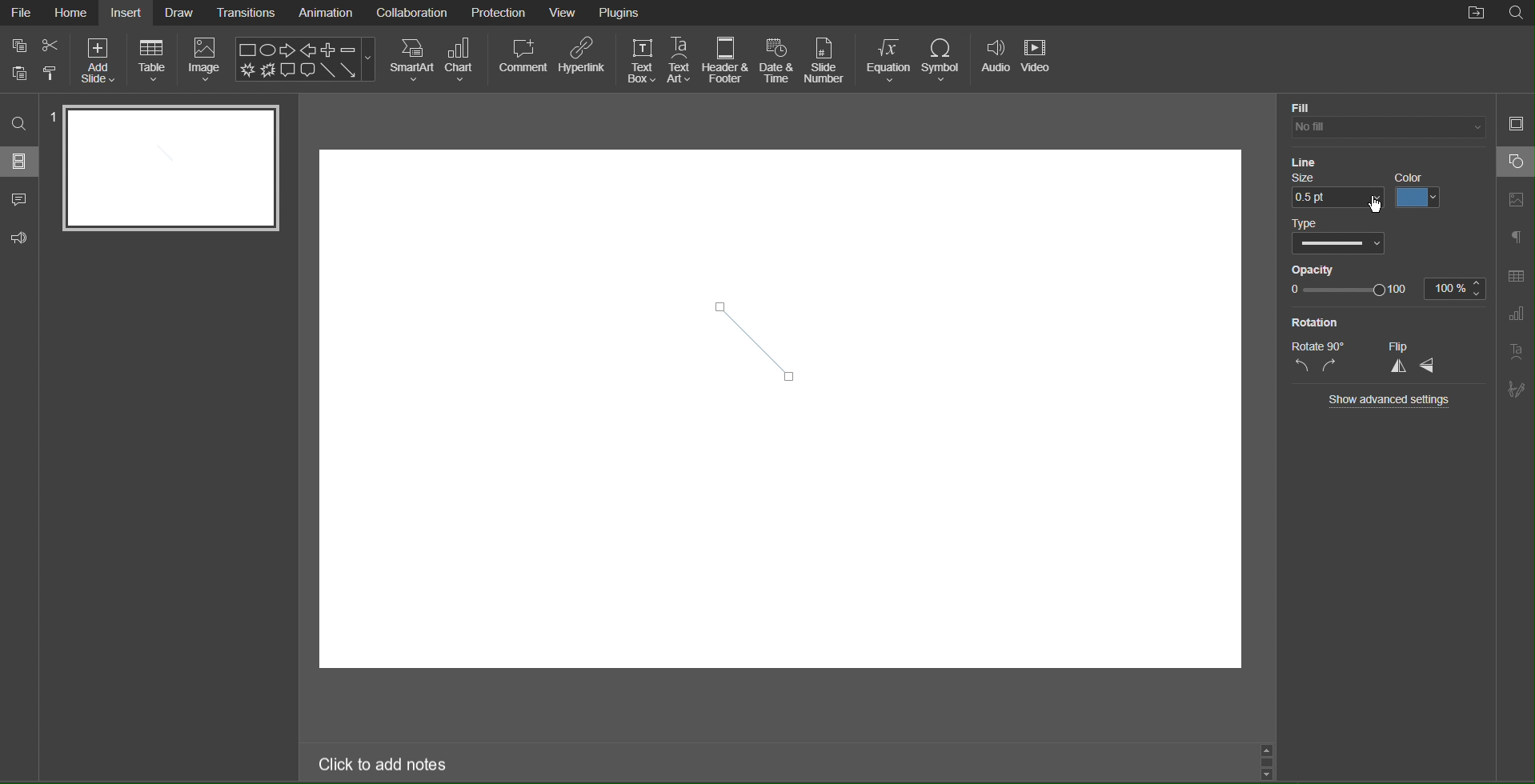 The height and width of the screenshot is (784, 1535). I want to click on Shape Settings, so click(1517, 162).